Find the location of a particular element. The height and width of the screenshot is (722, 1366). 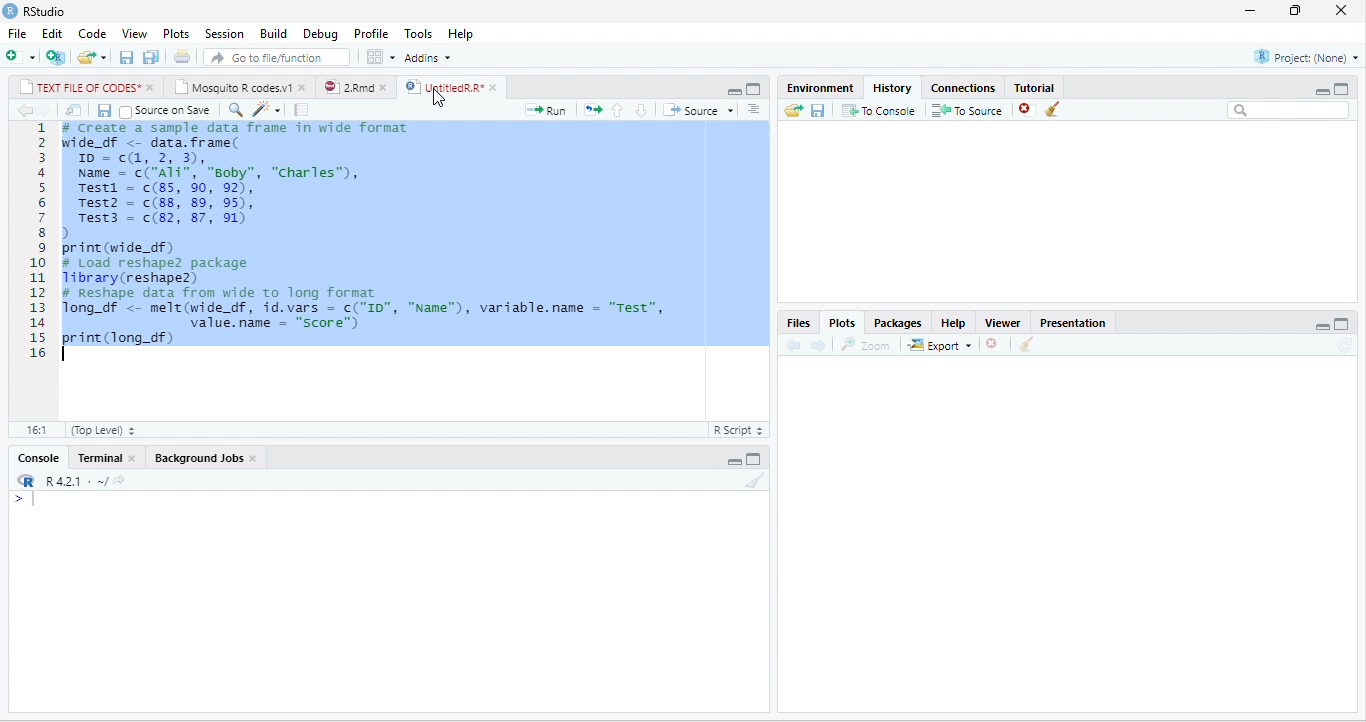

cursor is located at coordinates (438, 98).